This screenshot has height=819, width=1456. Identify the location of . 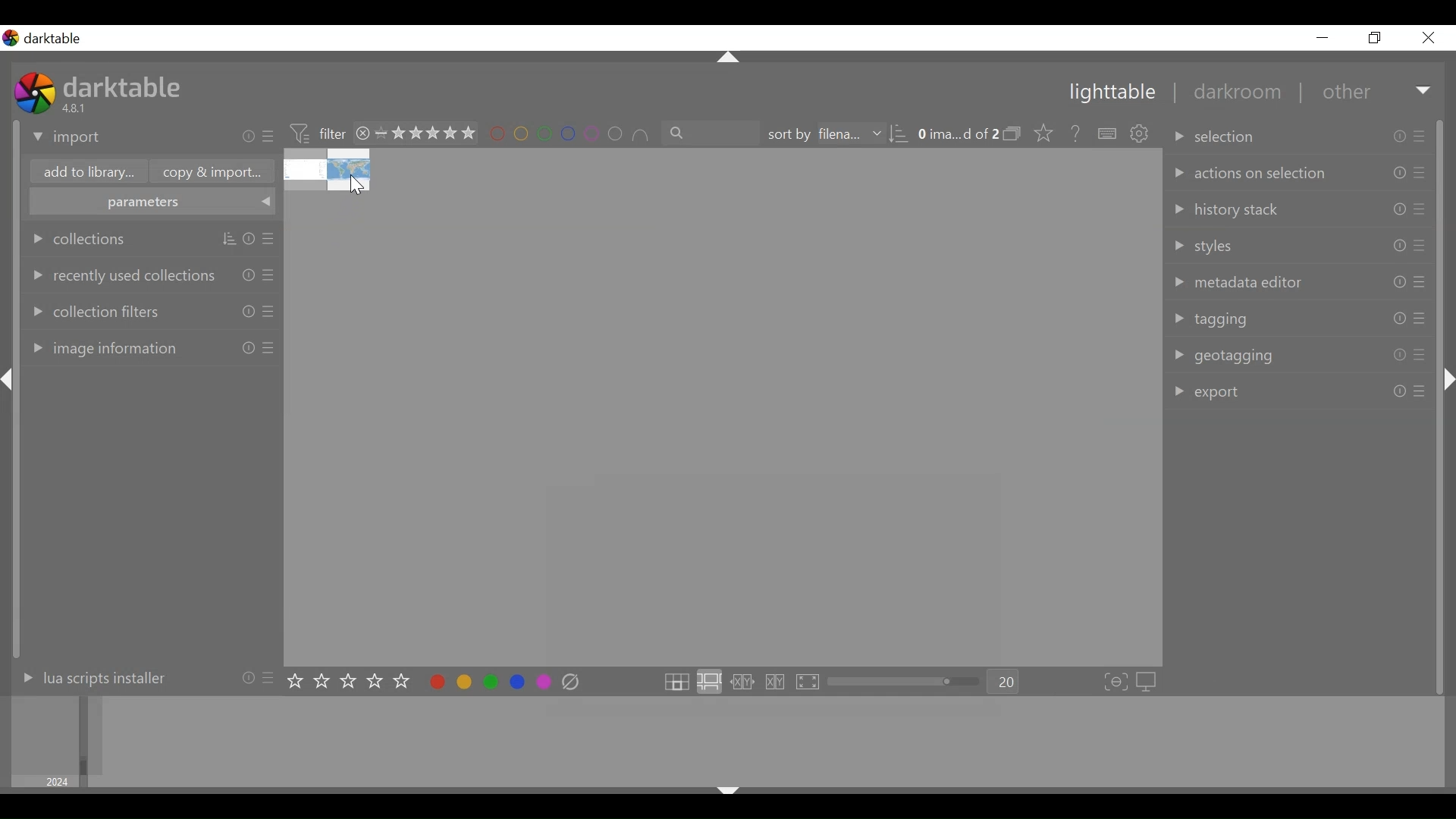
(271, 313).